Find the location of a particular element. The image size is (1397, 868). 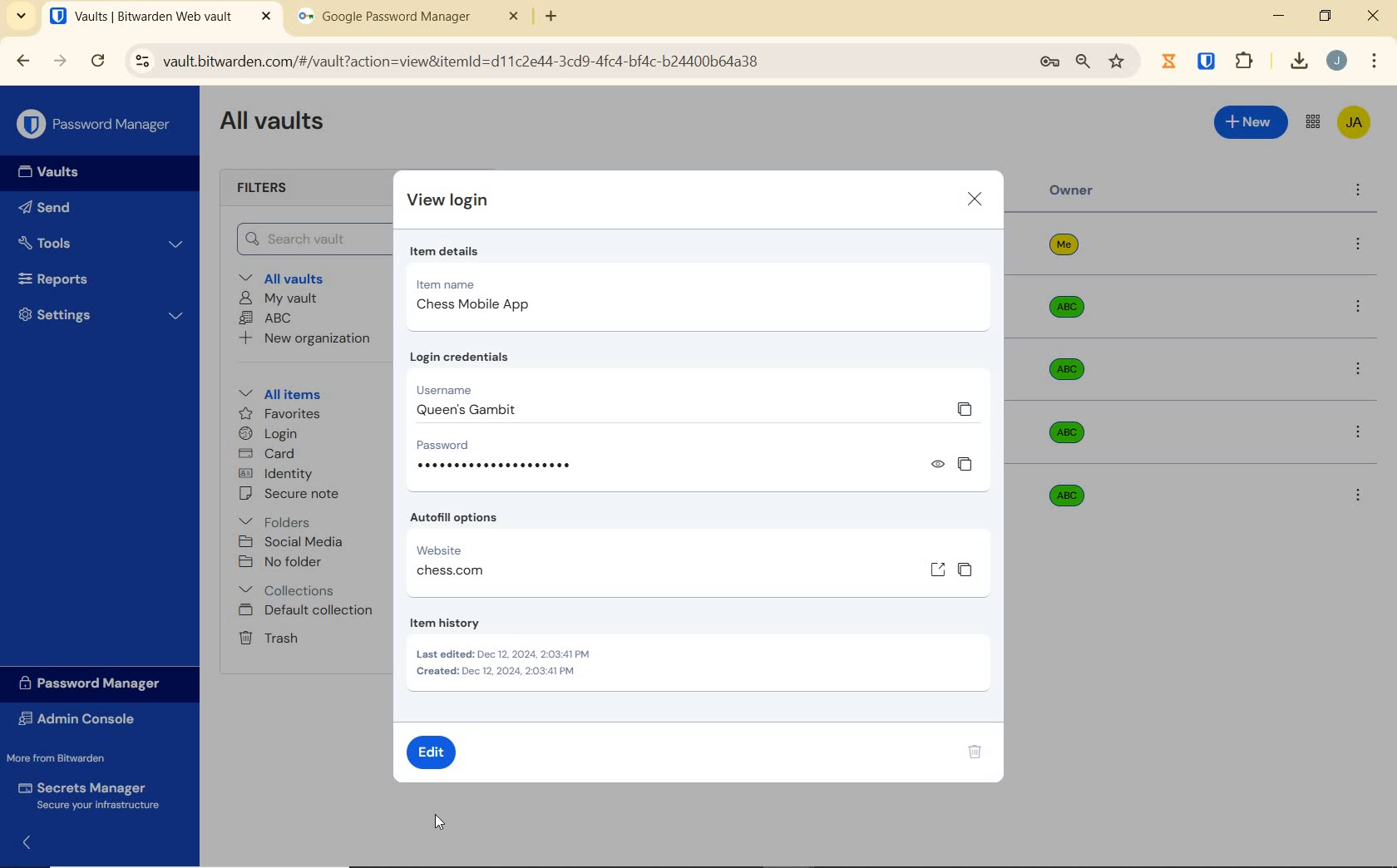

view is located at coordinates (937, 465).